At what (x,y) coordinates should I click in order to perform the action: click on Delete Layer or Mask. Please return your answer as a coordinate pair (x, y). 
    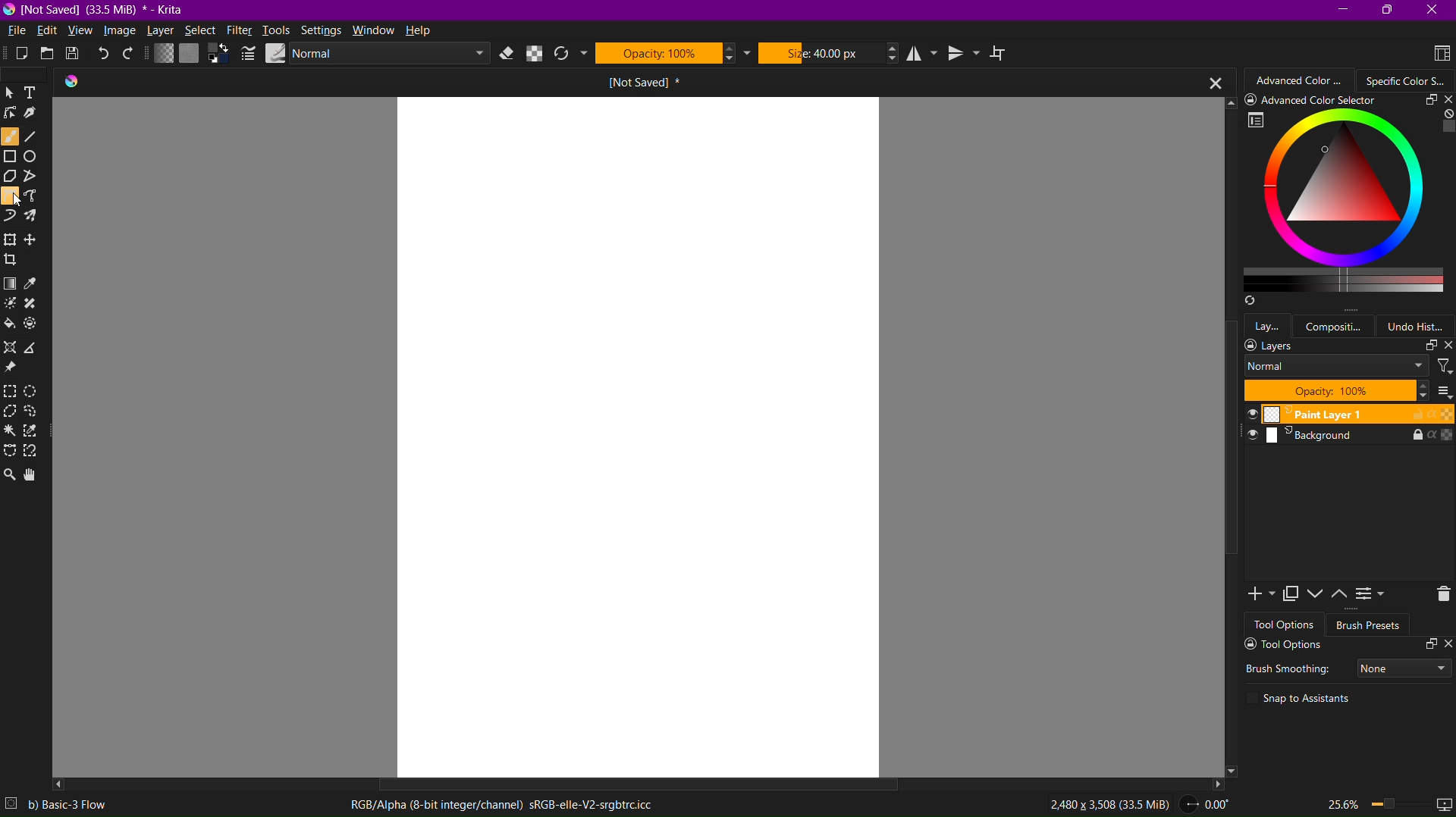
    Looking at the image, I should click on (1438, 595).